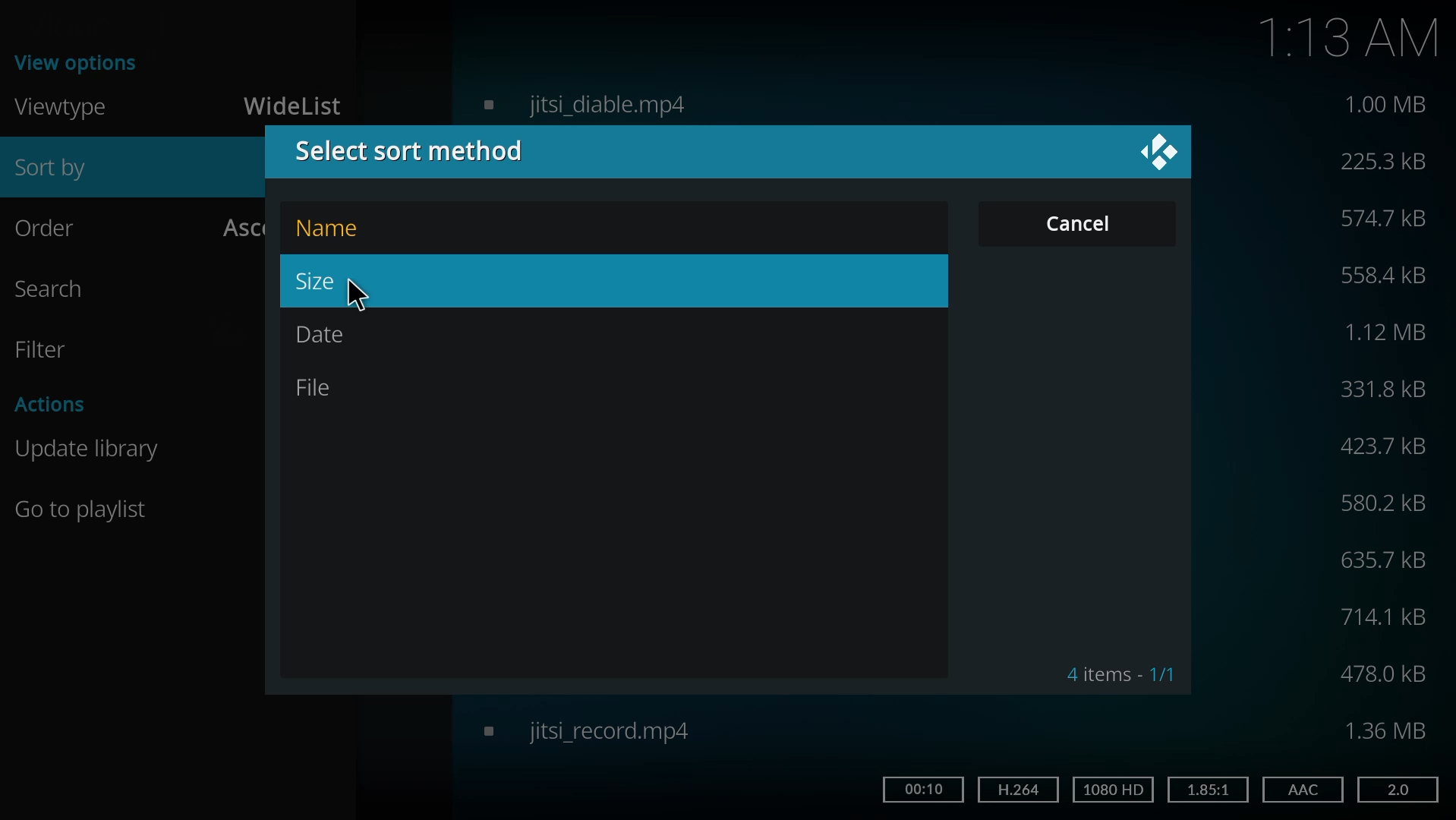 Image resolution: width=1456 pixels, height=820 pixels. What do you see at coordinates (294, 103) in the screenshot?
I see `widelist` at bounding box center [294, 103].